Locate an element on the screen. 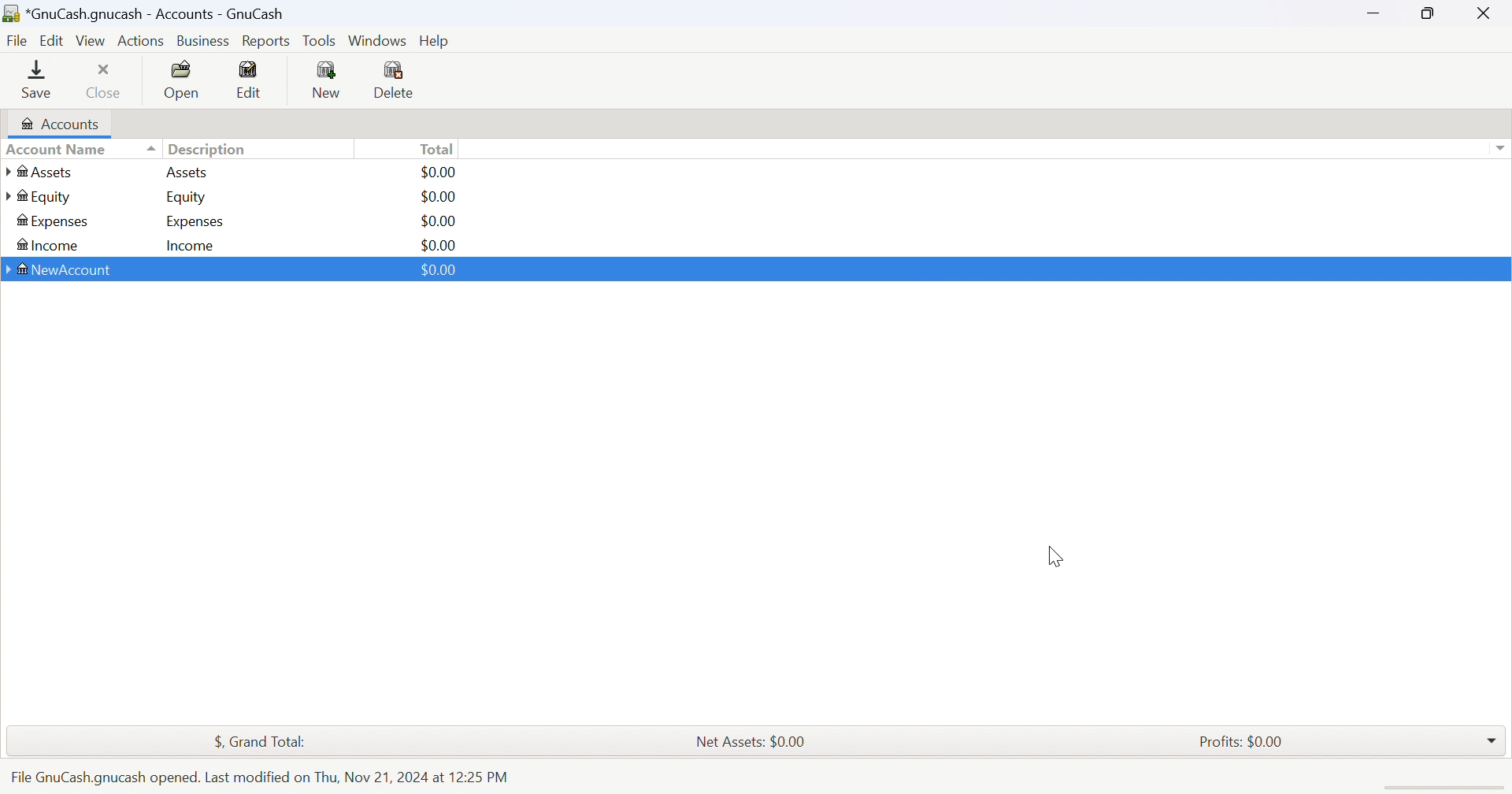 The width and height of the screenshot is (1512, 794). Close is located at coordinates (1484, 13).